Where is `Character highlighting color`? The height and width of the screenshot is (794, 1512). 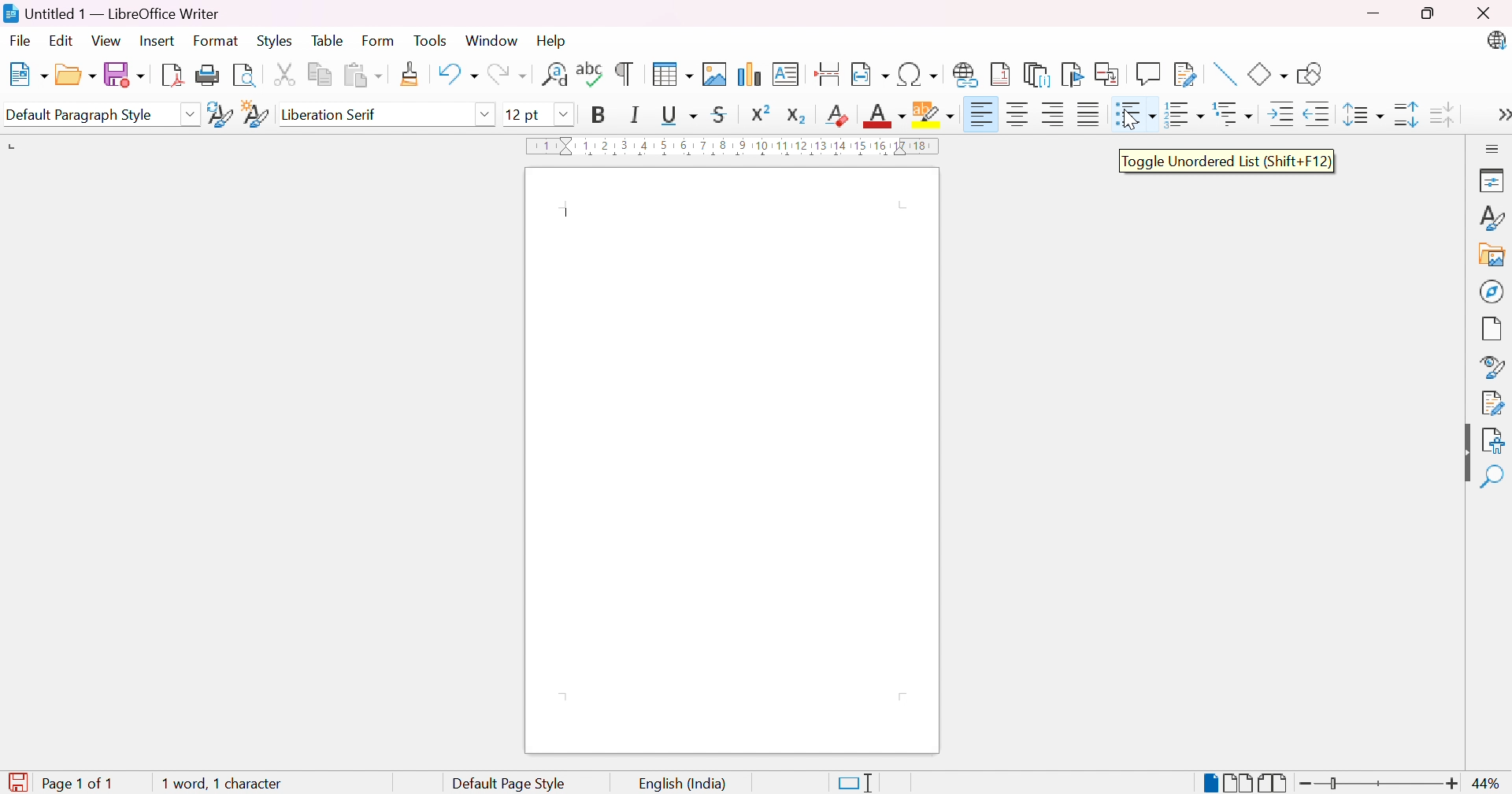 Character highlighting color is located at coordinates (934, 110).